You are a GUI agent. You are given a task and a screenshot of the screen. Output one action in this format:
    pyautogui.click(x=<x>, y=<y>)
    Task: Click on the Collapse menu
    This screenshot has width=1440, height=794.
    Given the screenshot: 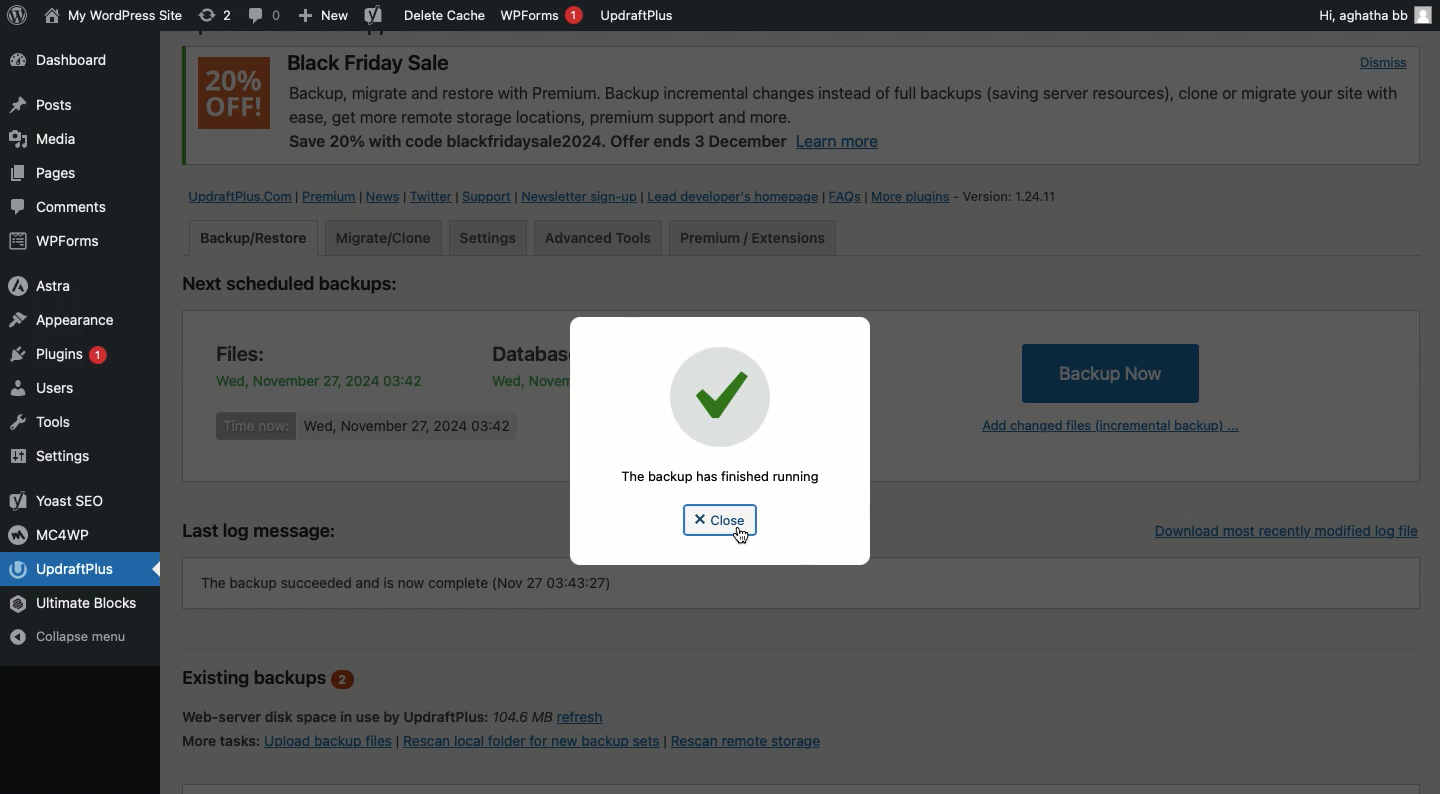 What is the action you would take?
    pyautogui.click(x=82, y=637)
    